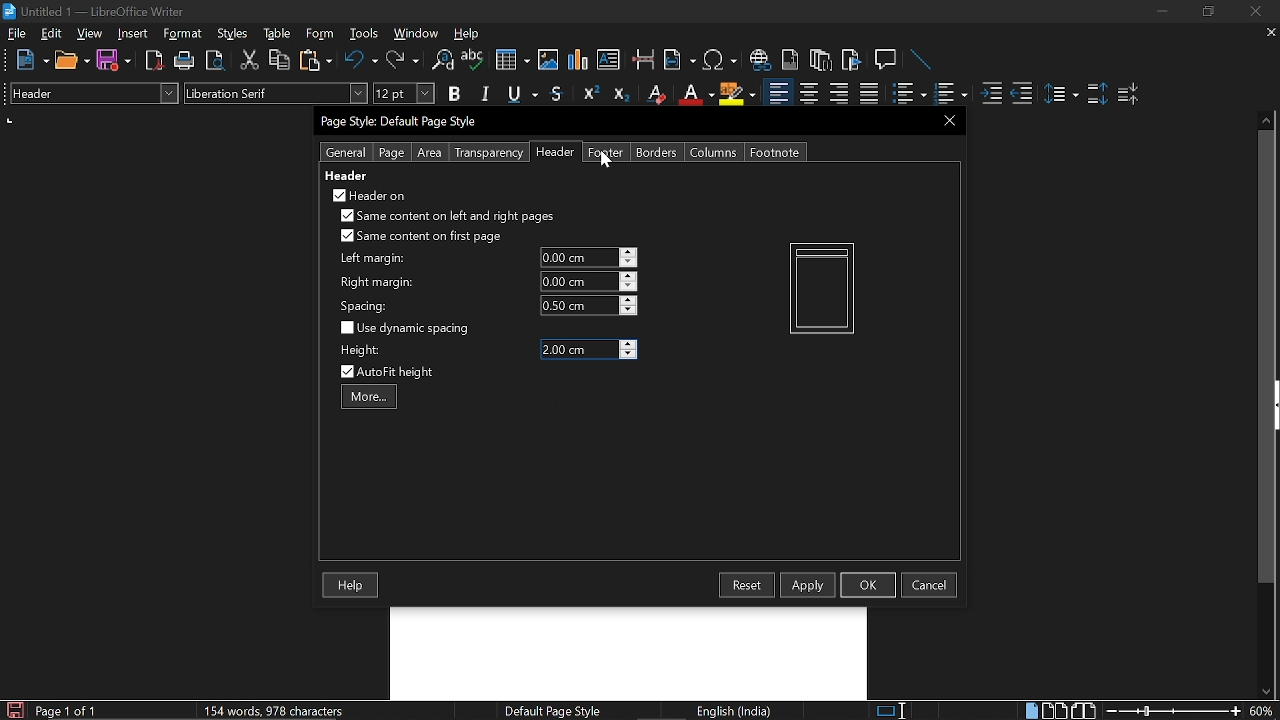 Image resolution: width=1280 pixels, height=720 pixels. I want to click on page Page, so click(391, 153).